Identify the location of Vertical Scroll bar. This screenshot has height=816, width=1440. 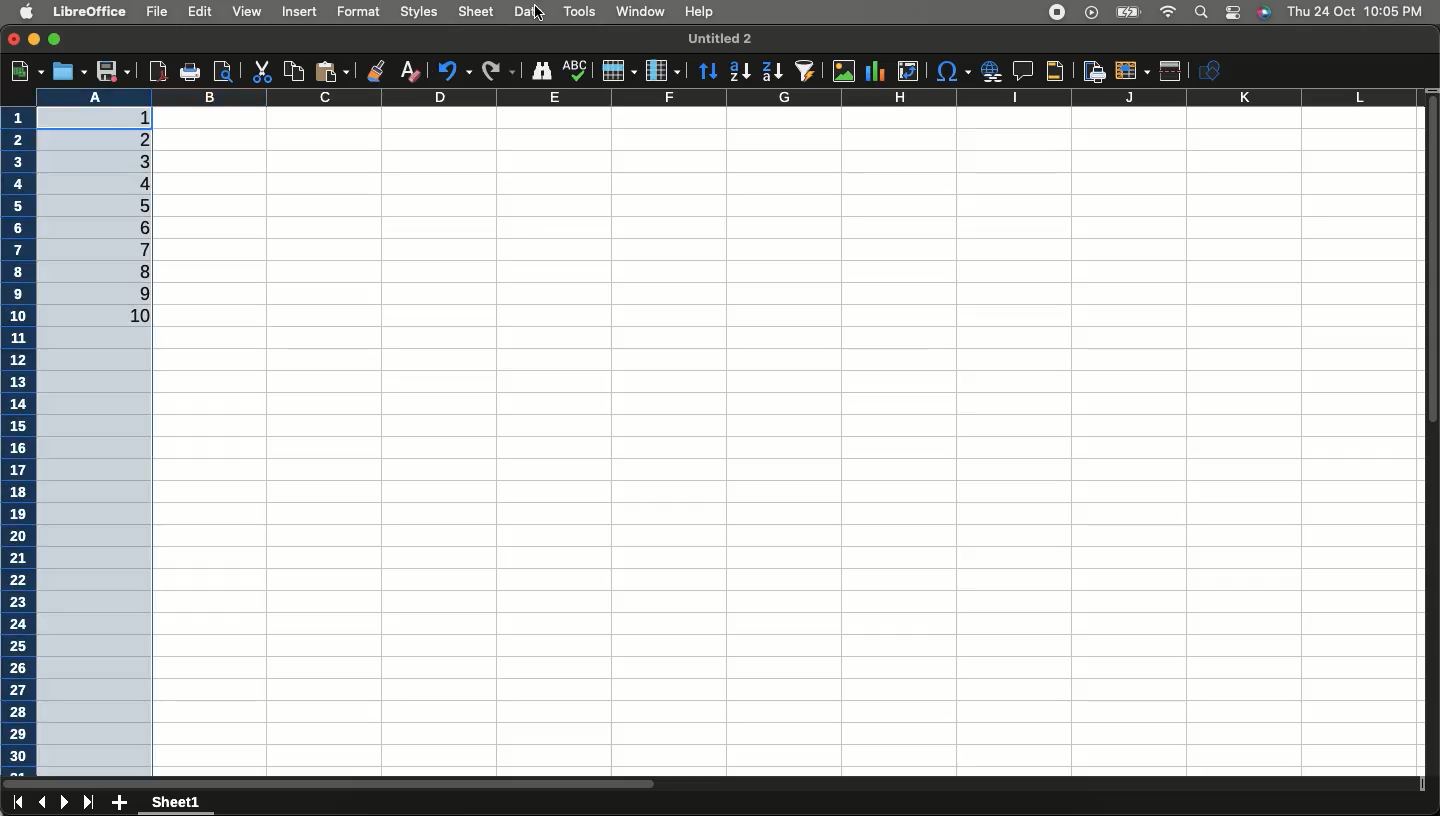
(1431, 269).